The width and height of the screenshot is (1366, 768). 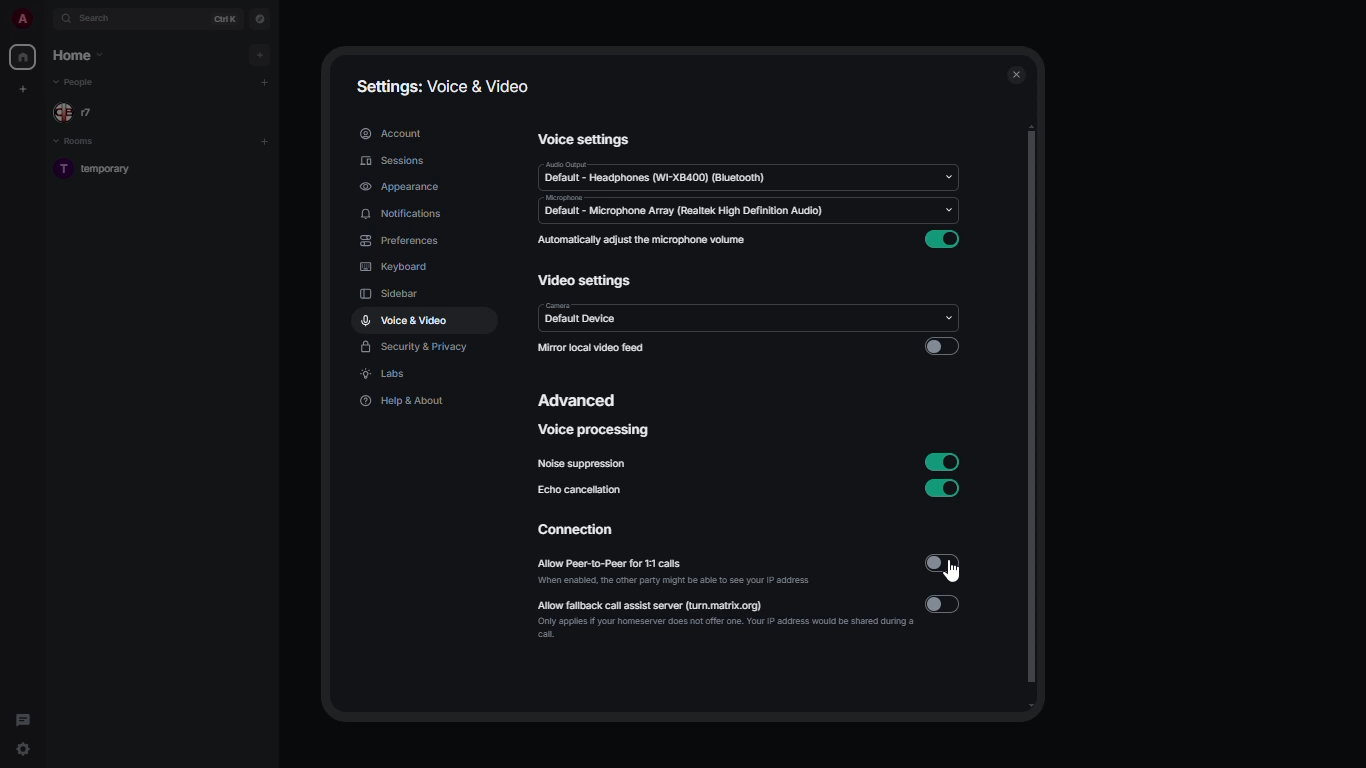 I want to click on mirror local video feed, so click(x=595, y=347).